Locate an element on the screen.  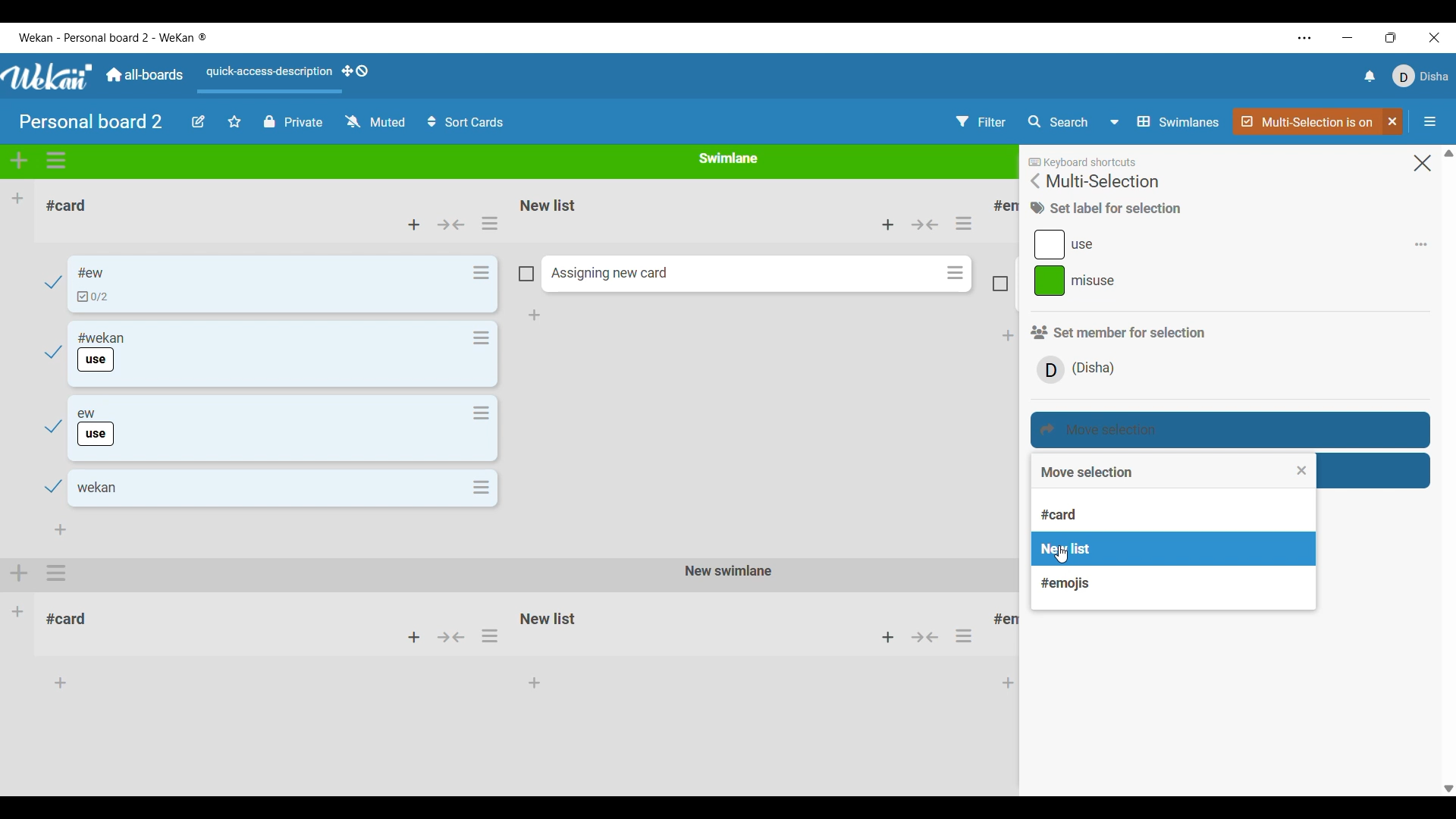
Click to unselect multi-selection is located at coordinates (1393, 121).